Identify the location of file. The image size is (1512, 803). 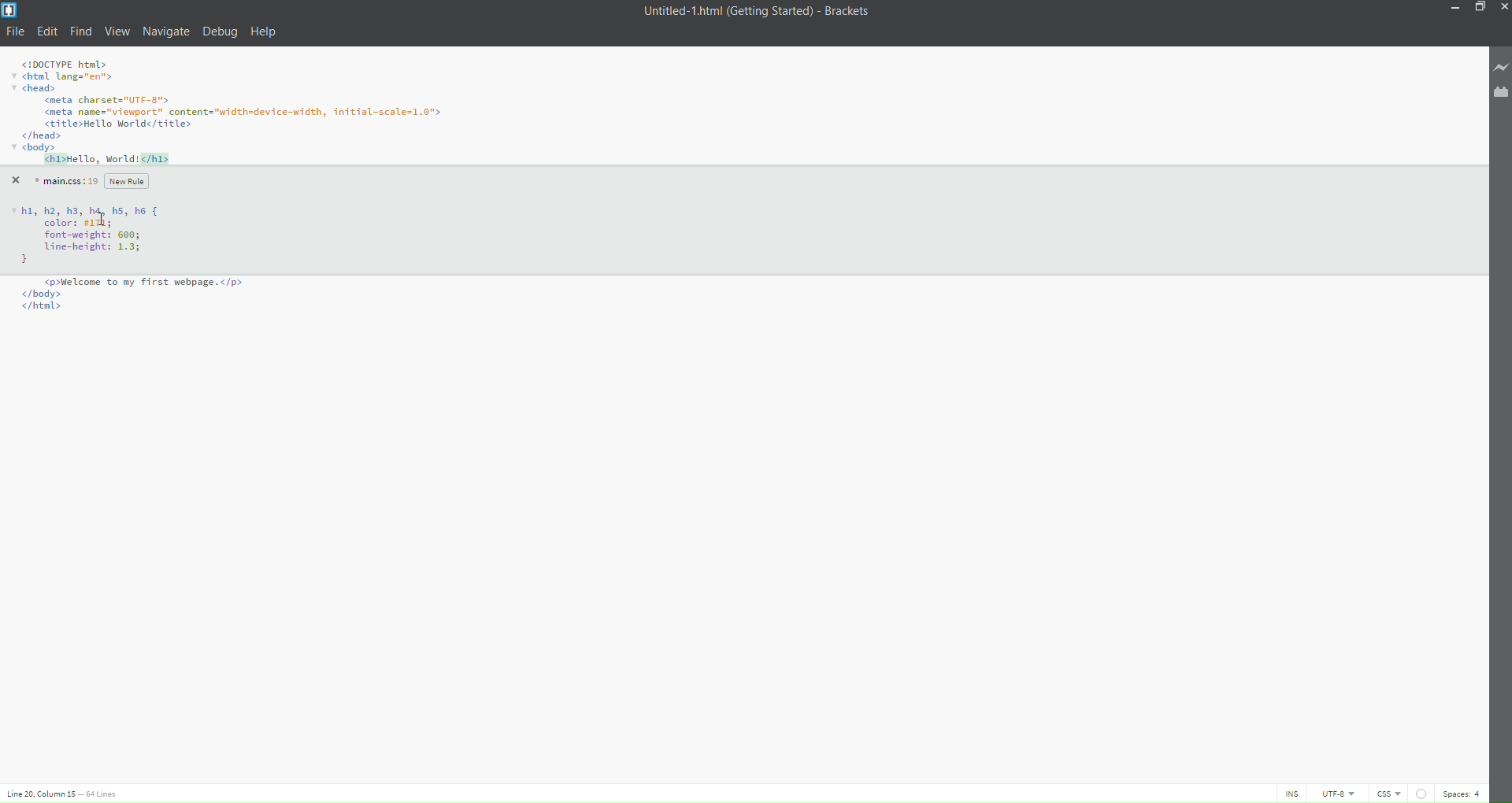
(17, 31).